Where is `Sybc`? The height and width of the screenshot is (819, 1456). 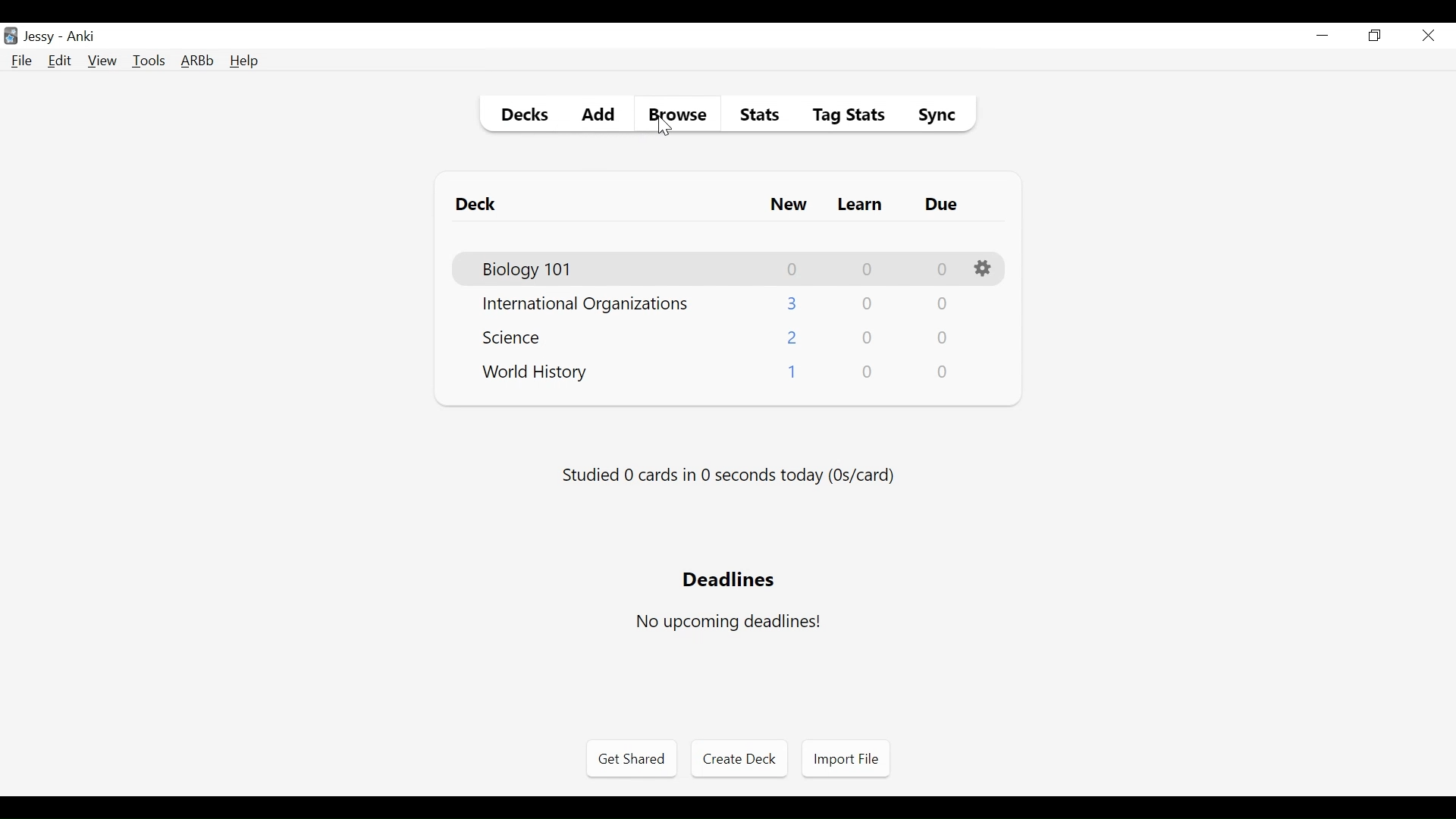 Sybc is located at coordinates (931, 117).